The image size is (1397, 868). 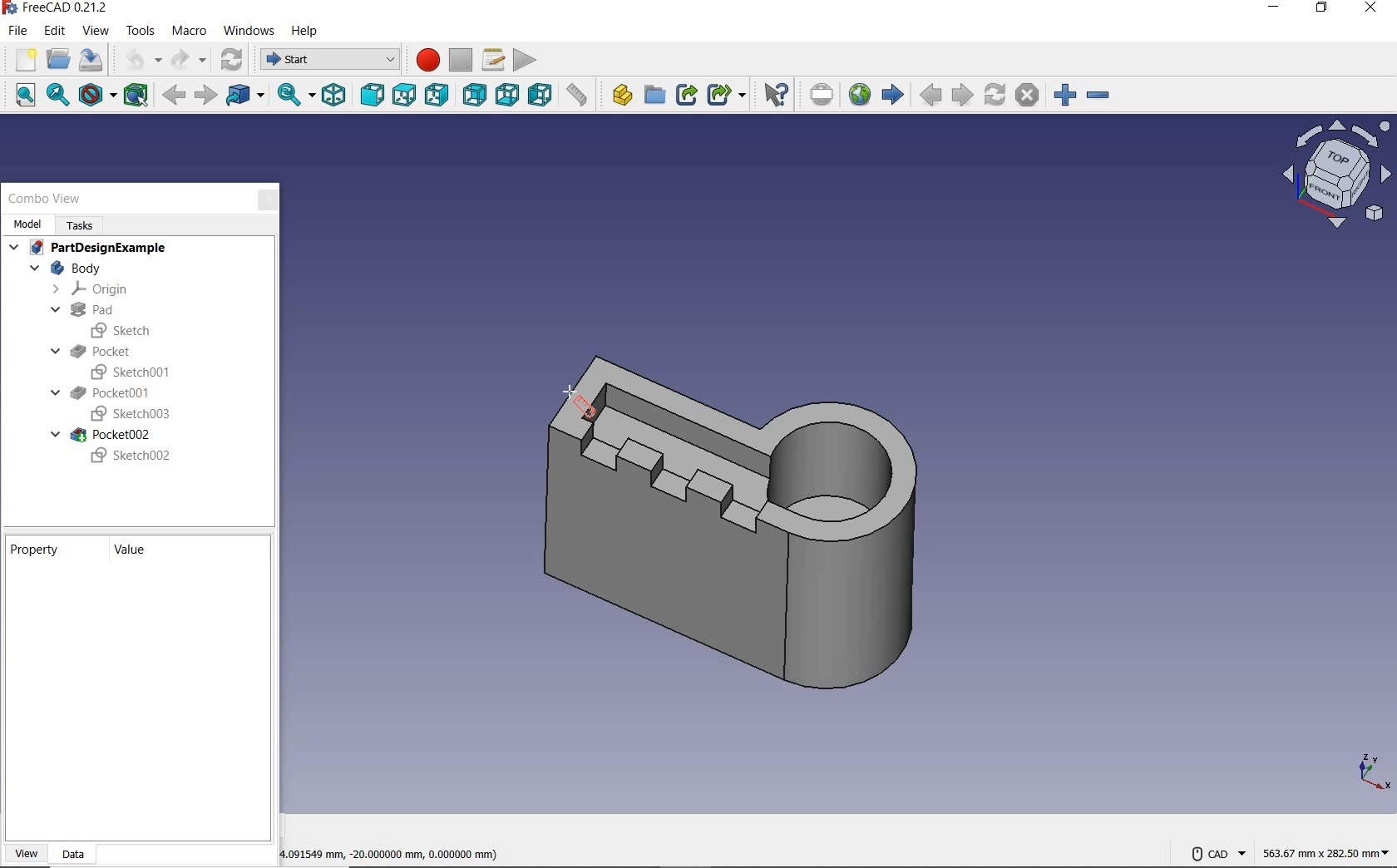 What do you see at coordinates (18, 96) in the screenshot?
I see `fit all` at bounding box center [18, 96].